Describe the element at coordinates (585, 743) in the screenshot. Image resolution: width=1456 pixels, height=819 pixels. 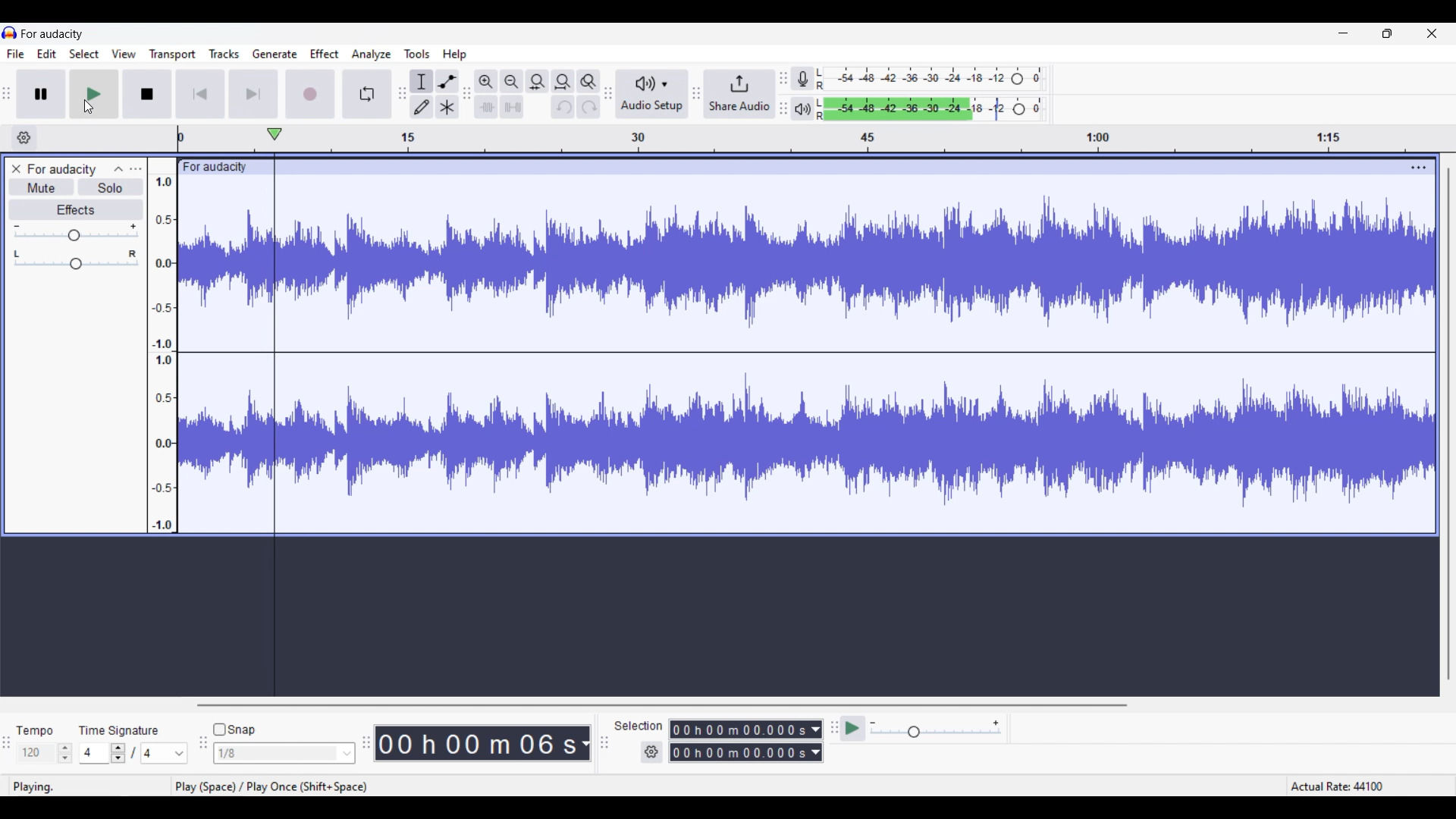
I see `Duration measurement` at that location.